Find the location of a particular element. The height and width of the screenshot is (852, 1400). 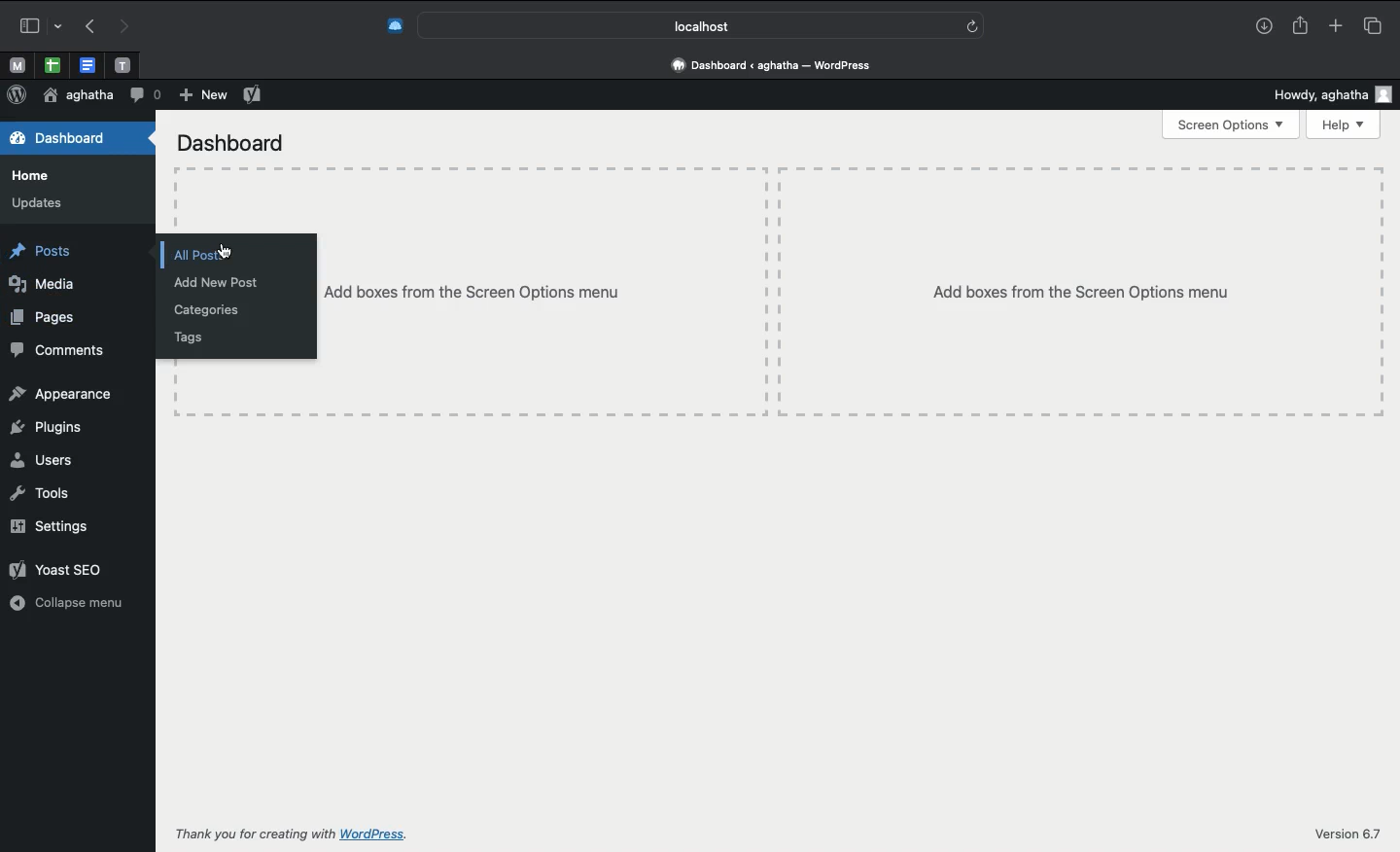

localhost is located at coordinates (698, 26).